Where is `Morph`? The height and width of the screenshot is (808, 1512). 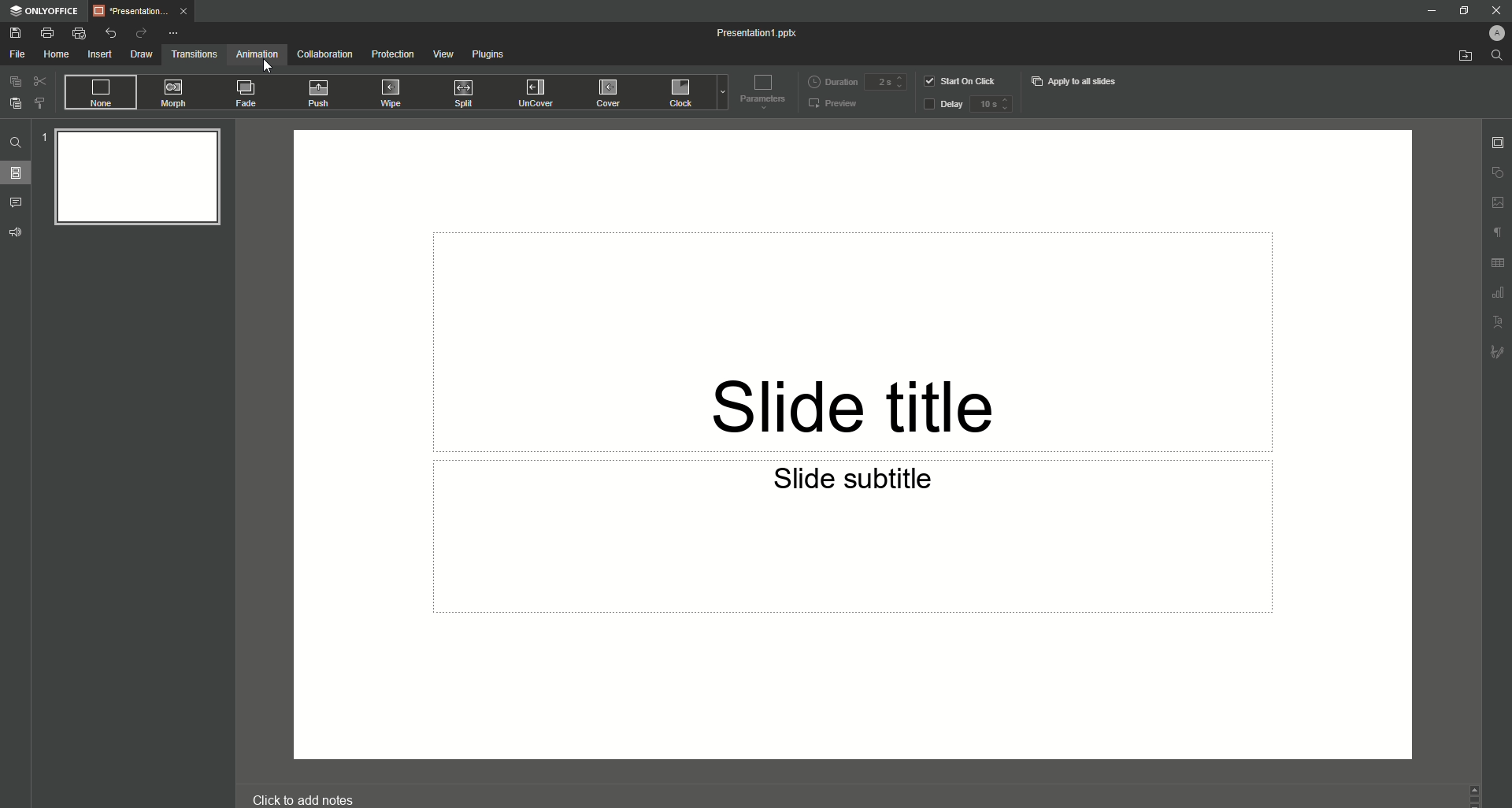
Morph is located at coordinates (176, 93).